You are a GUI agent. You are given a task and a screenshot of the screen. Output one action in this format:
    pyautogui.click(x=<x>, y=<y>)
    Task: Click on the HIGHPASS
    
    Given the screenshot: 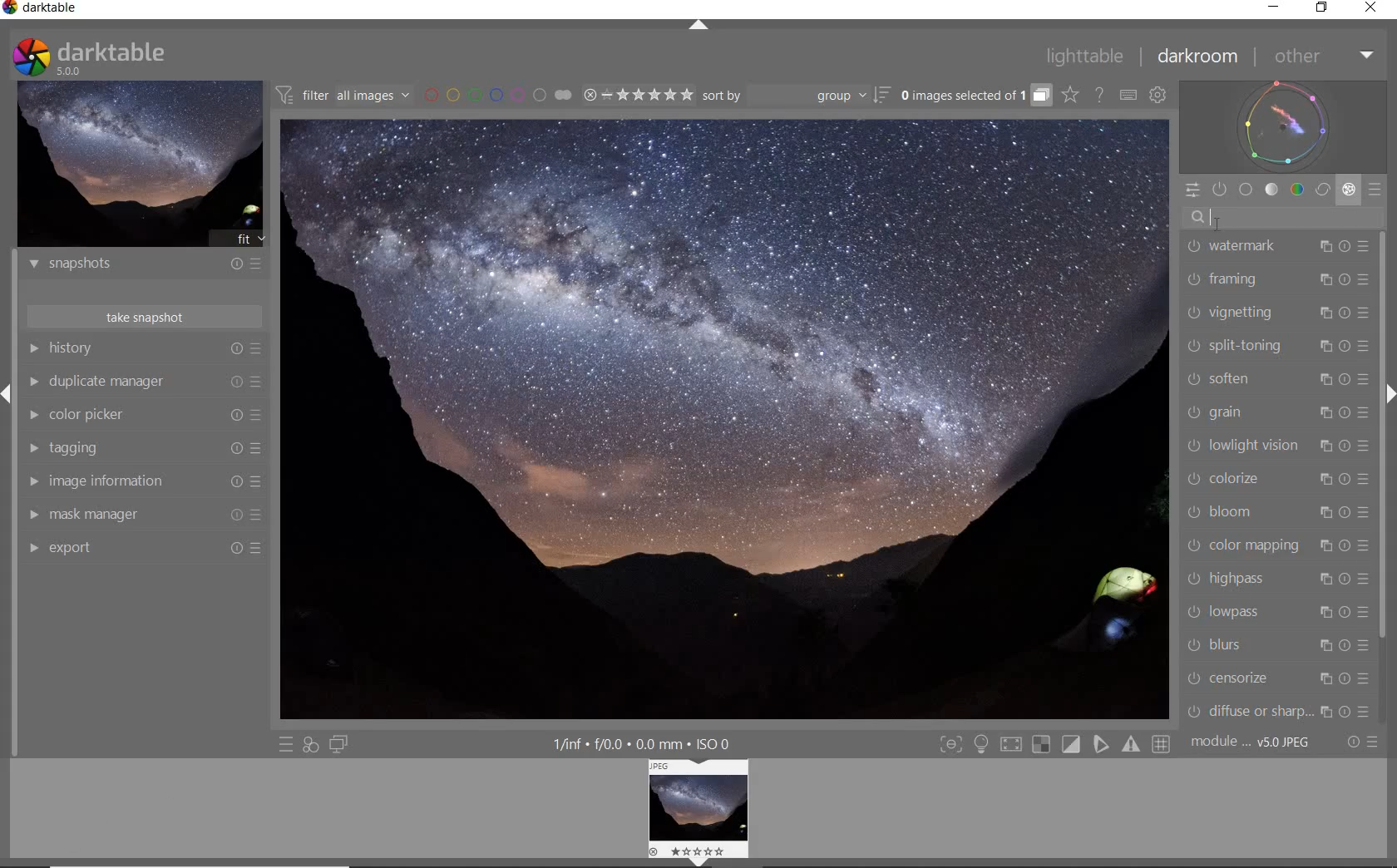 What is the action you would take?
    pyautogui.click(x=1226, y=579)
    